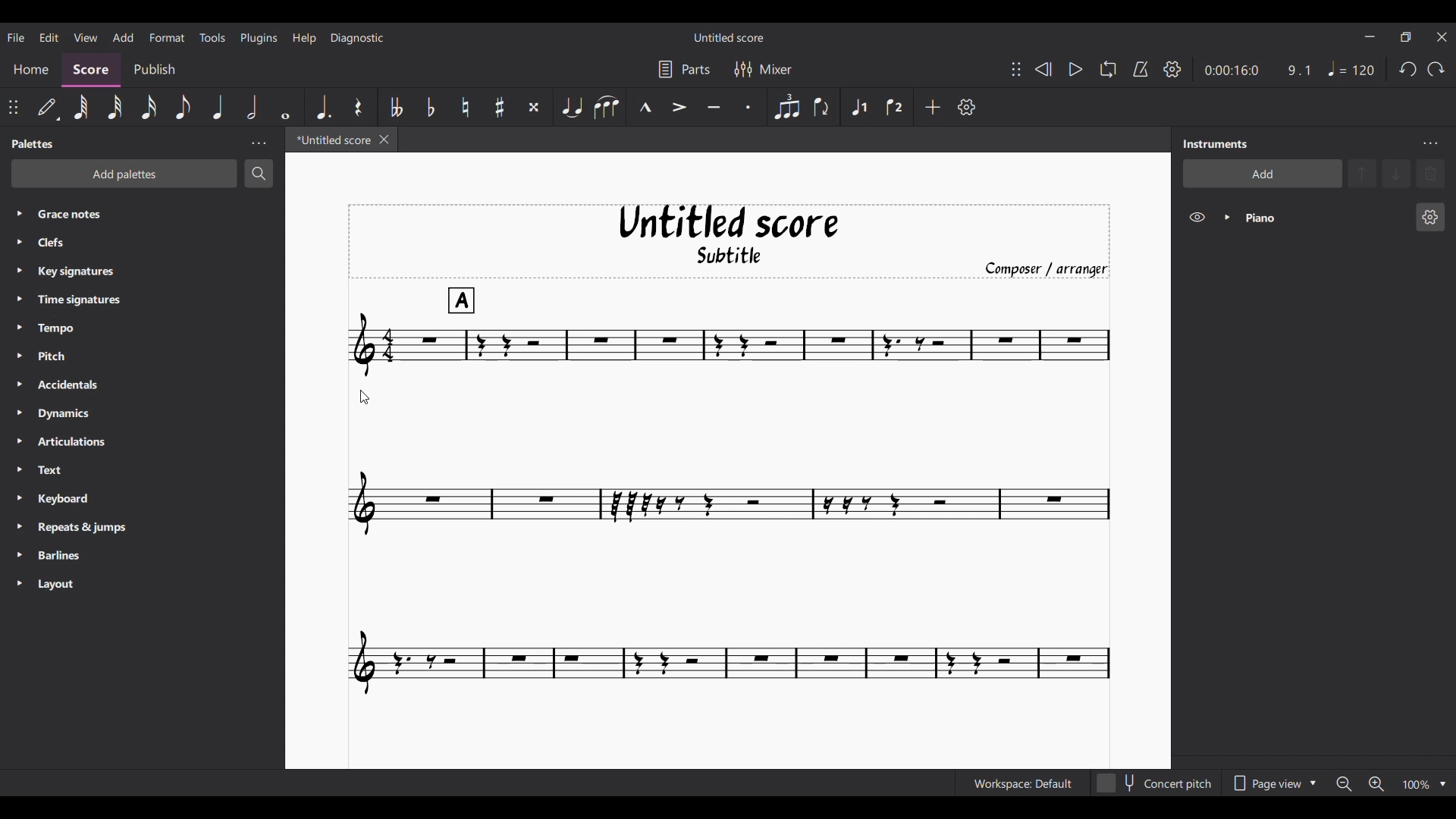  I want to click on Move instrument down, so click(1396, 173).